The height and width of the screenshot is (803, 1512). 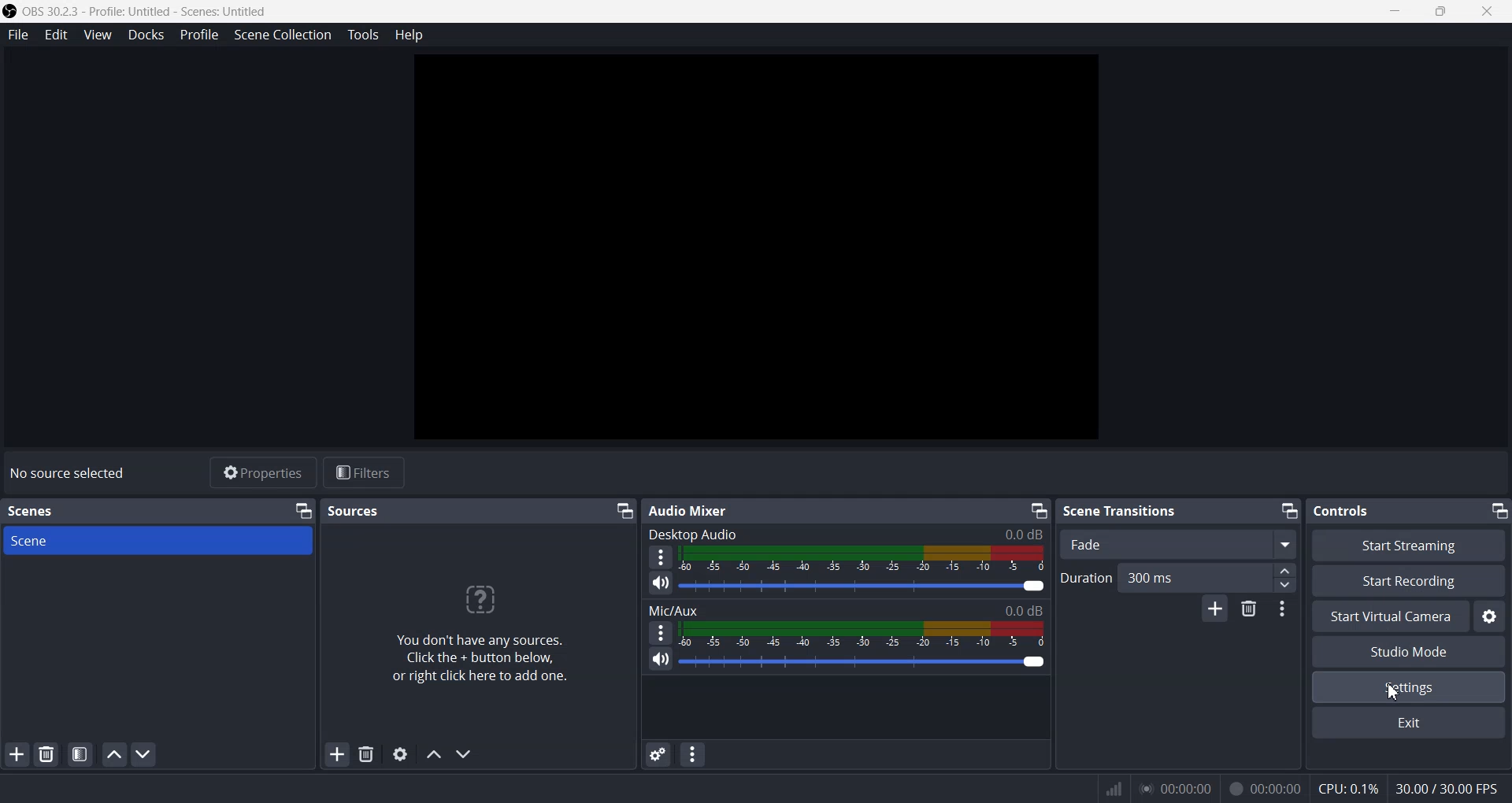 What do you see at coordinates (369, 472) in the screenshot?
I see `Filters` at bounding box center [369, 472].